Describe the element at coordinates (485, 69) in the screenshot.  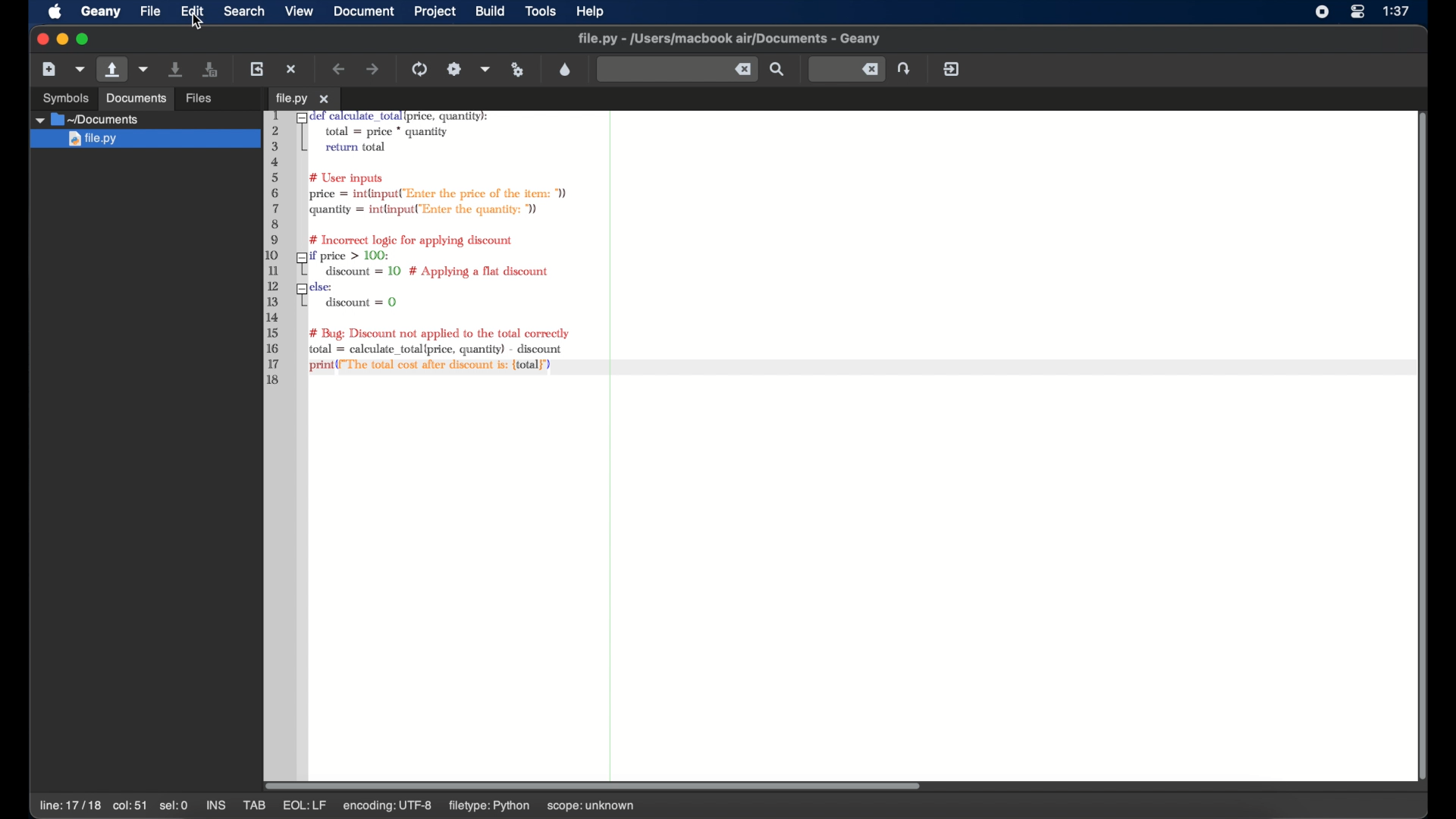
I see `choose more build actions` at that location.